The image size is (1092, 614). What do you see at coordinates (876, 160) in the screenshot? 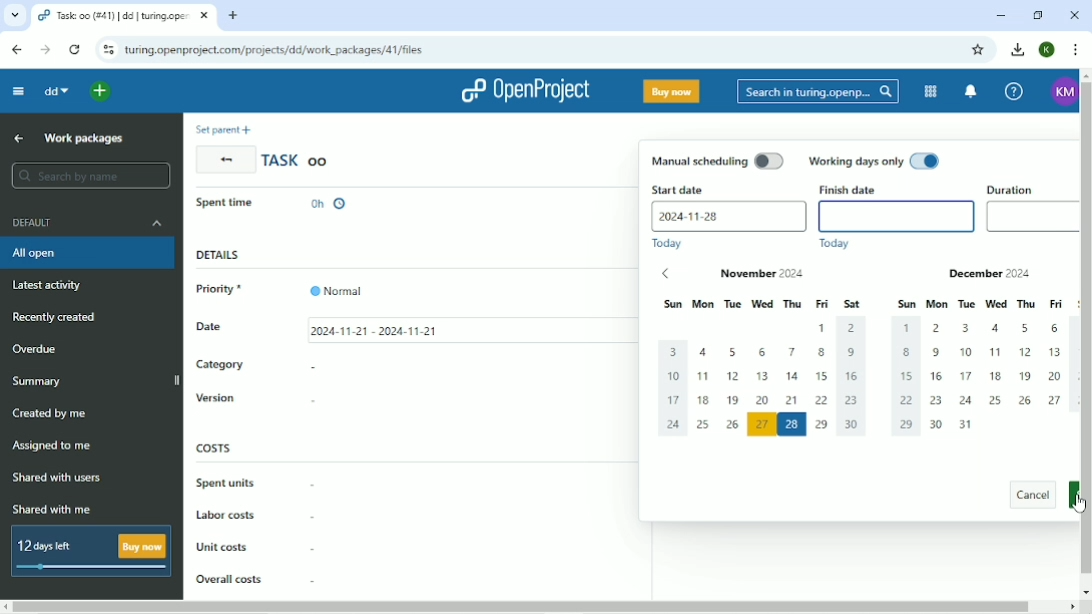
I see `Working days only` at bounding box center [876, 160].